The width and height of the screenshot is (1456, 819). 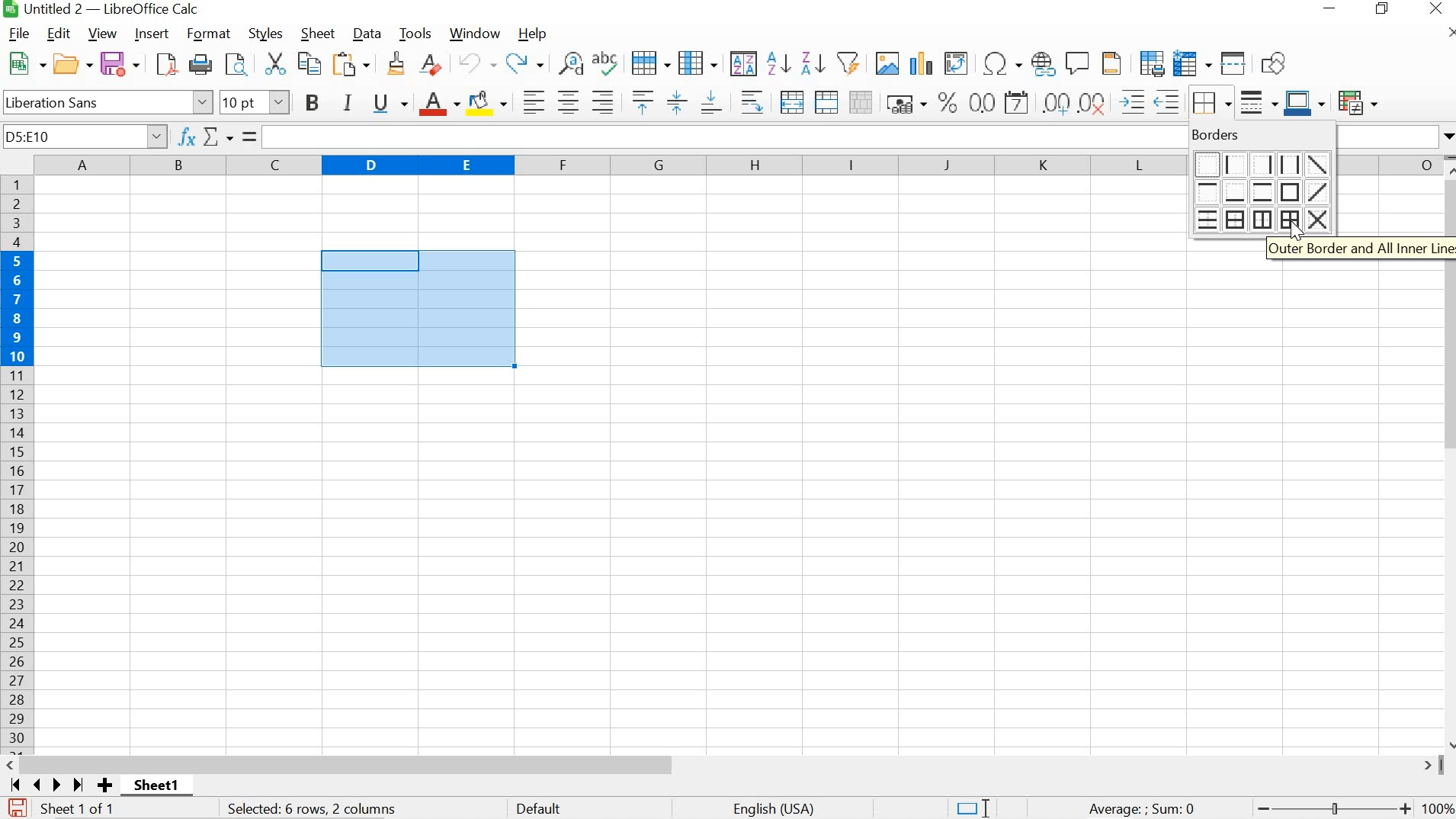 What do you see at coordinates (1264, 163) in the screenshot?
I see `right border` at bounding box center [1264, 163].